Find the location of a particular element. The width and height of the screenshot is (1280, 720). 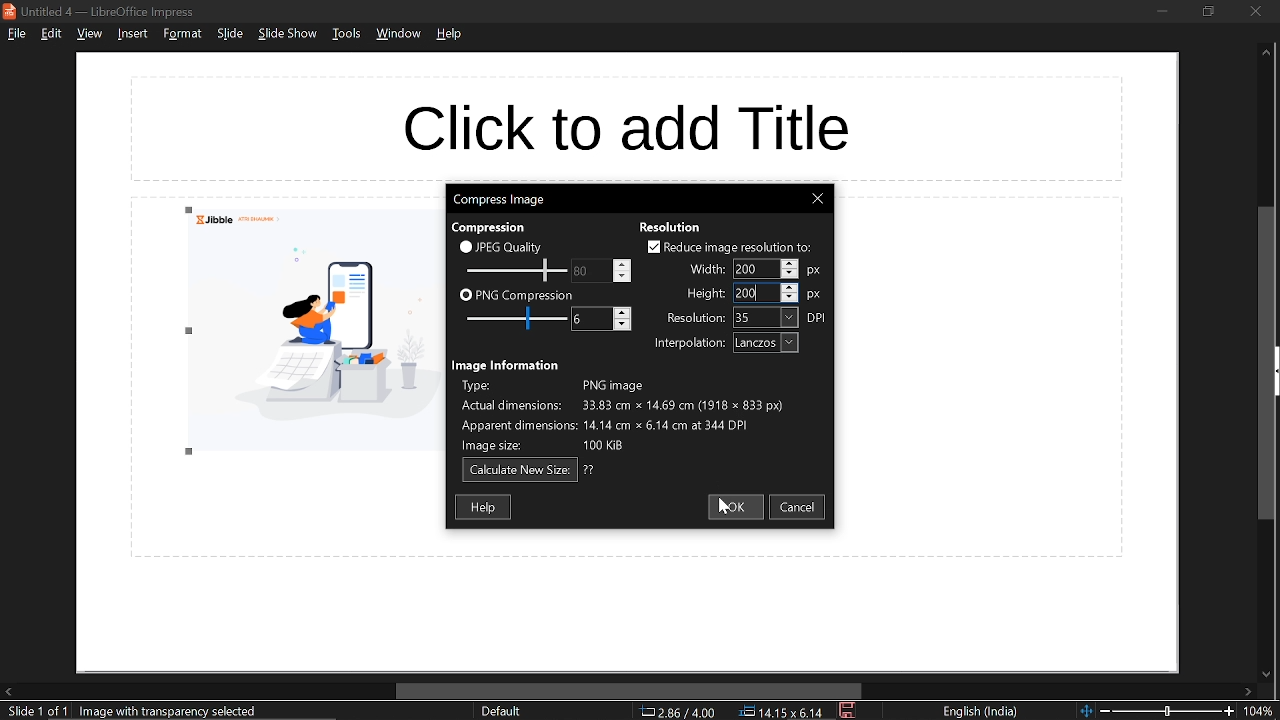

width is located at coordinates (703, 268).